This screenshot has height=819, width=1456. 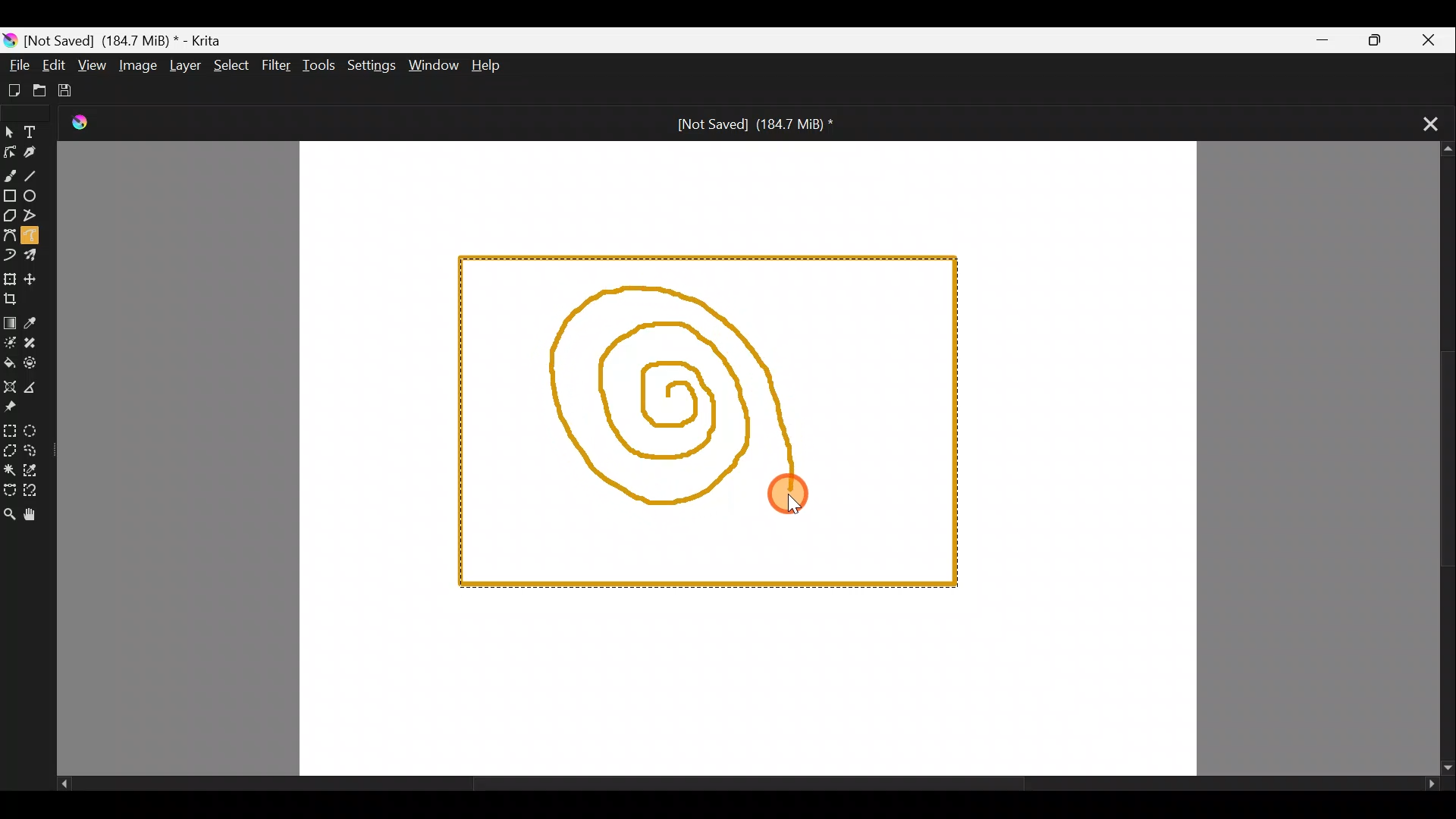 I want to click on Krita Logo, so click(x=78, y=118).